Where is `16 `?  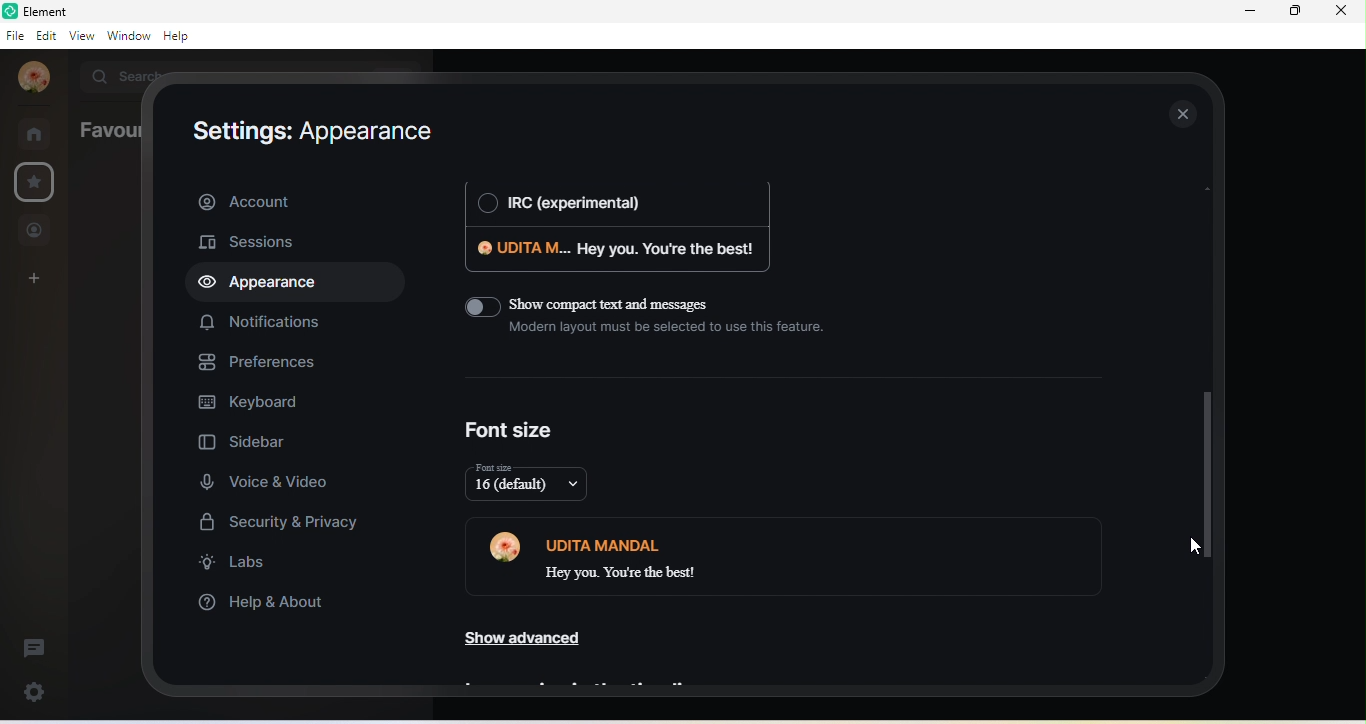 16  is located at coordinates (535, 484).